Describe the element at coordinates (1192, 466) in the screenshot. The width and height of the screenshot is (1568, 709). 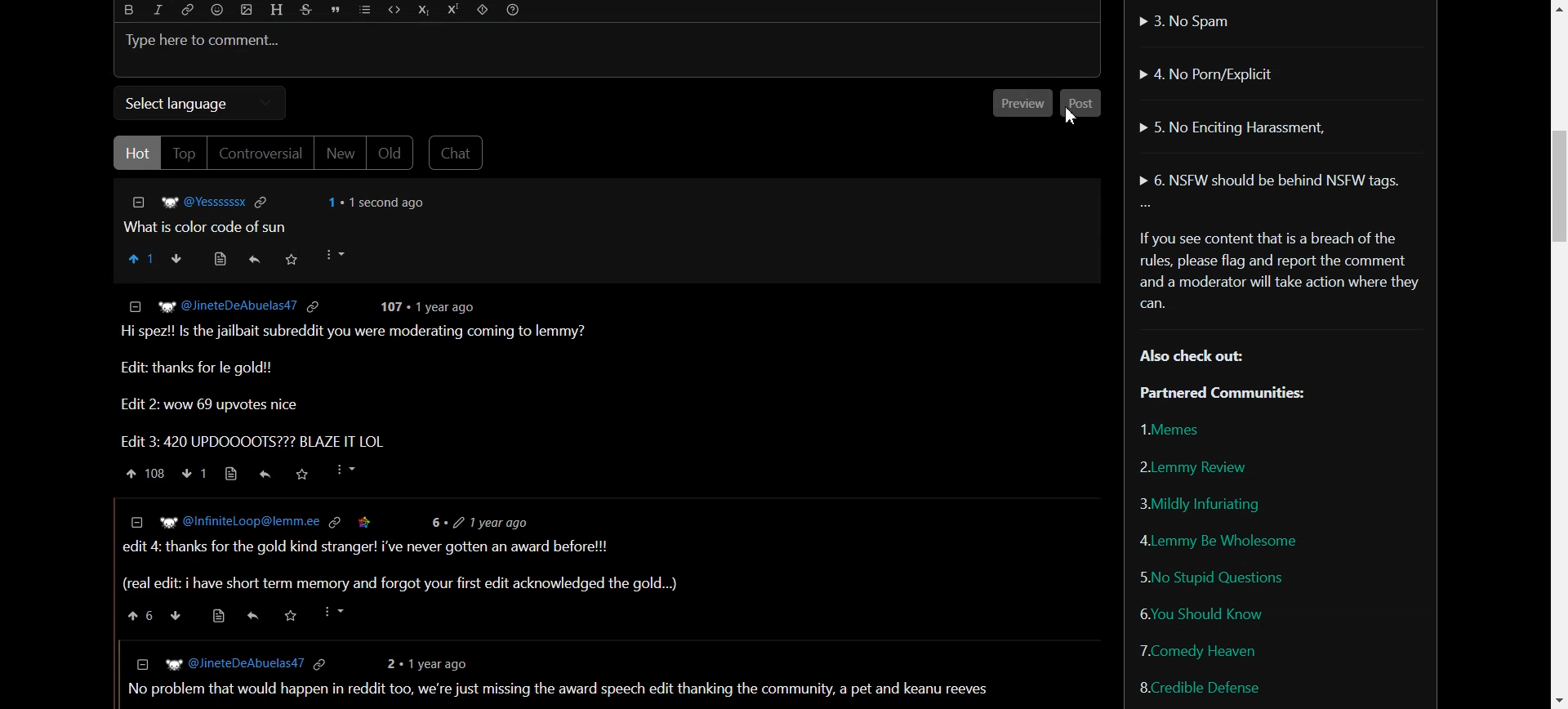
I see `Lemmy Review` at that location.